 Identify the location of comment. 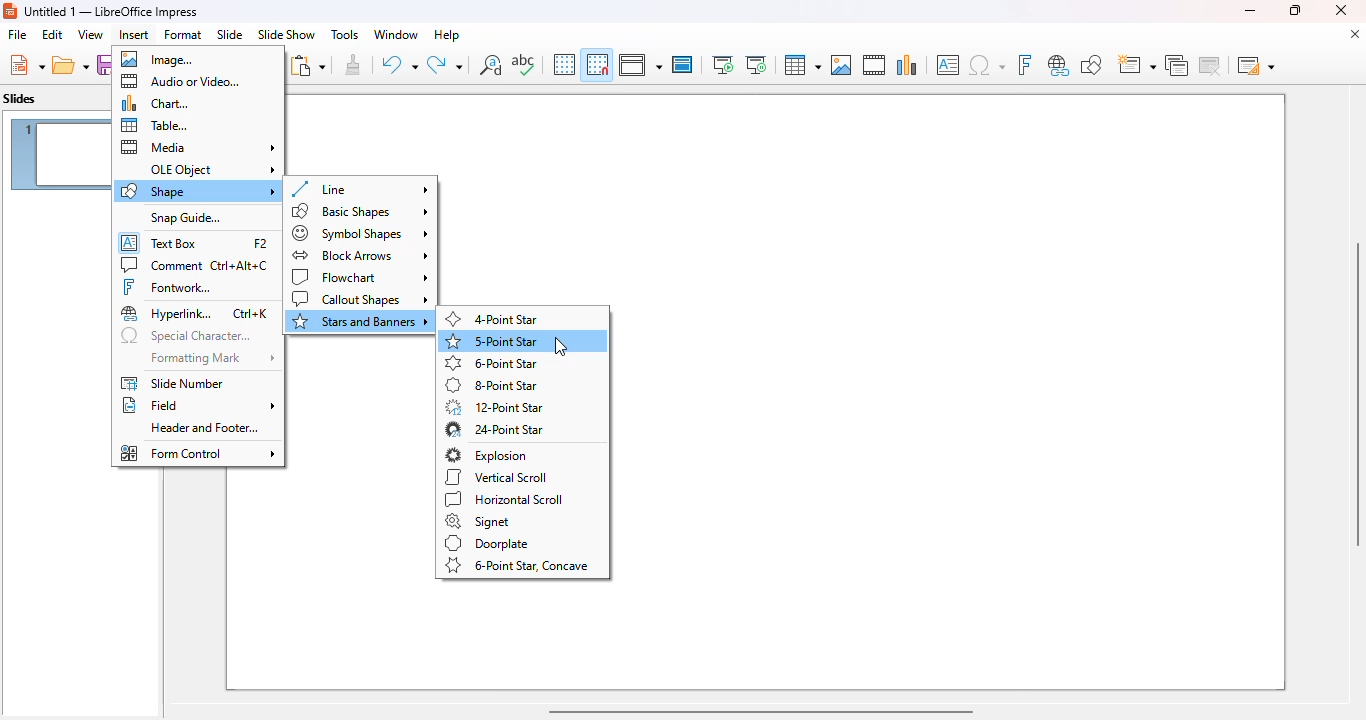
(195, 265).